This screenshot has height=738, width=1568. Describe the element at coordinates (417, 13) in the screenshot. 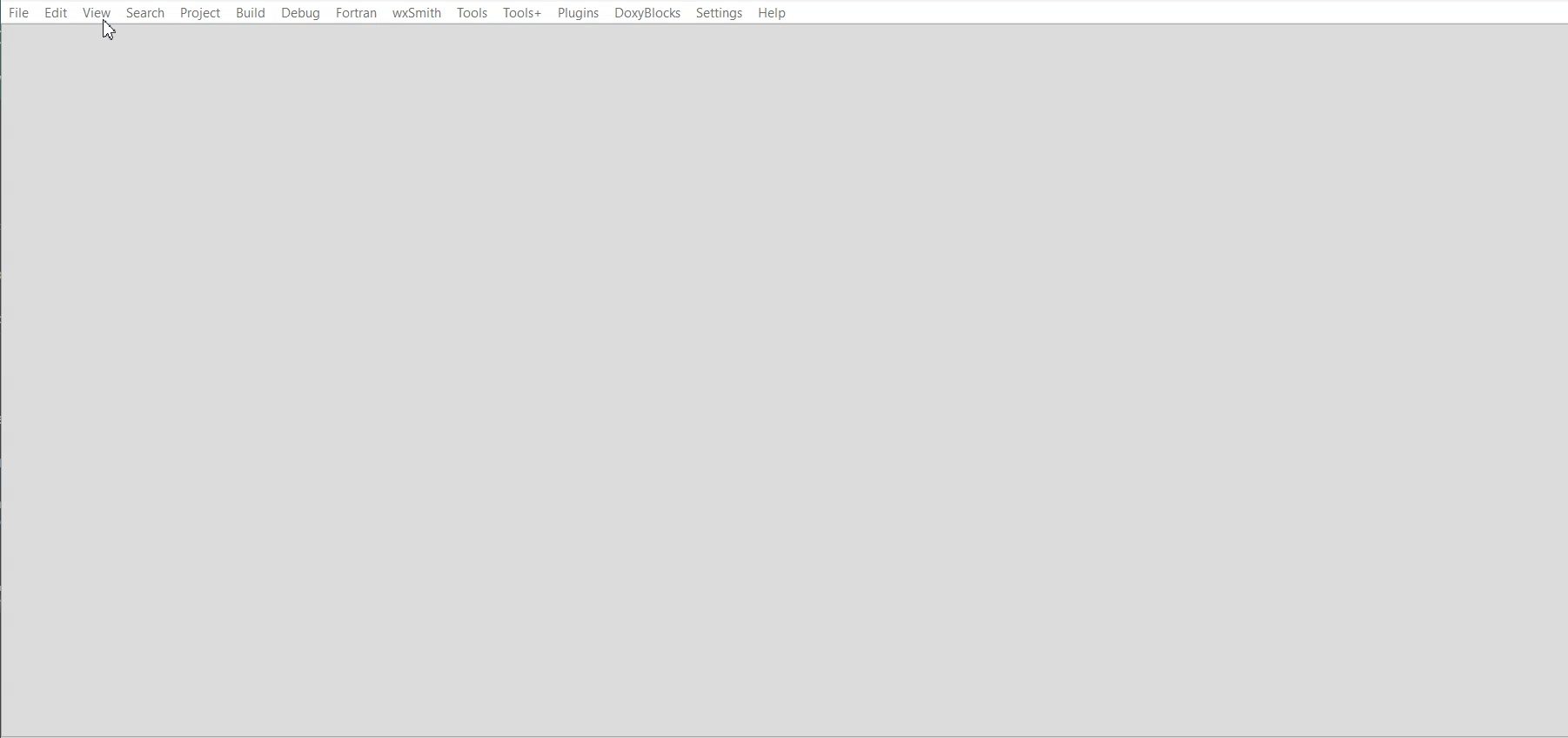

I see `wxSmith` at that location.